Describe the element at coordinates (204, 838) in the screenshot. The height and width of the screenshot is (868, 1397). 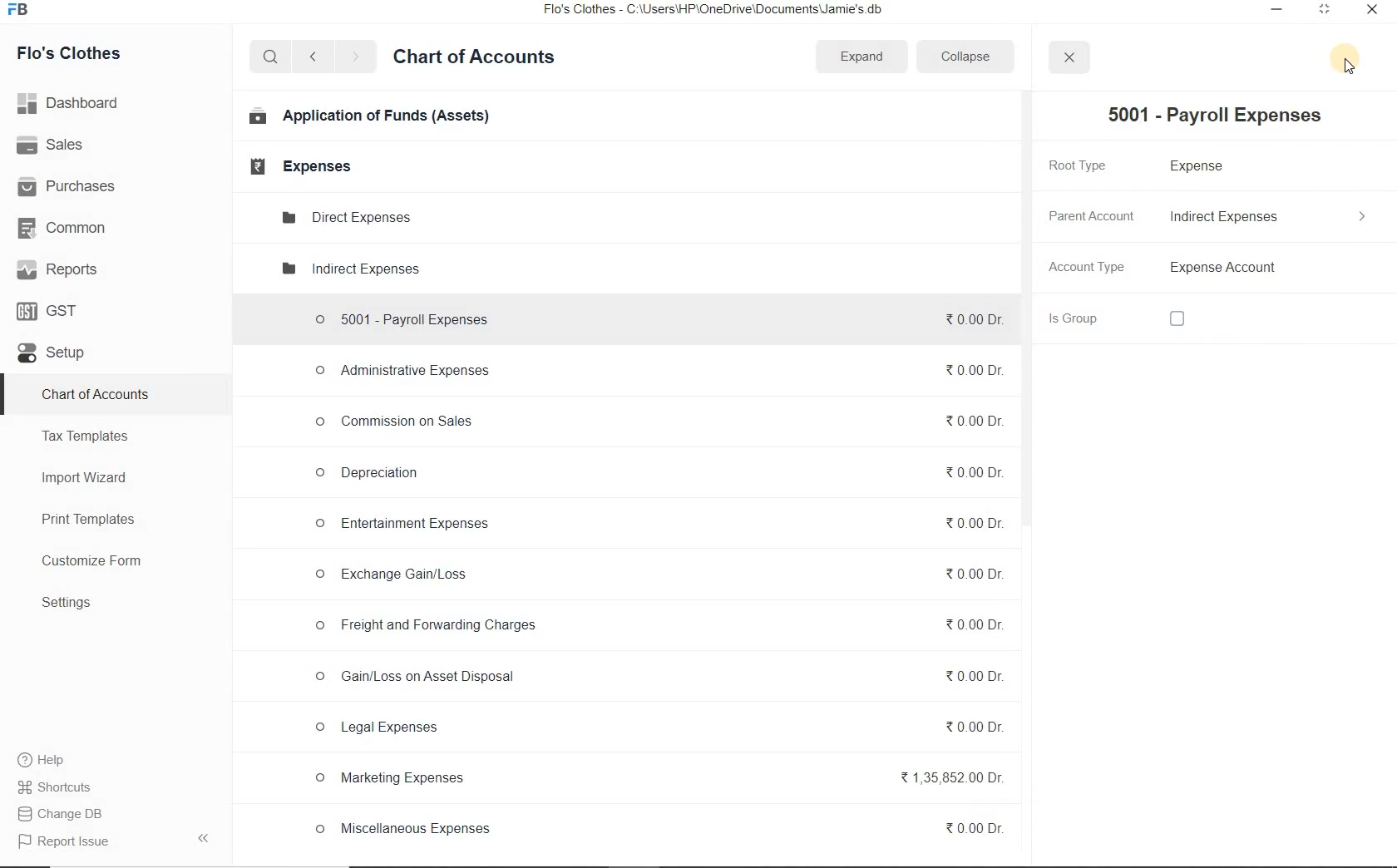
I see `hide` at that location.